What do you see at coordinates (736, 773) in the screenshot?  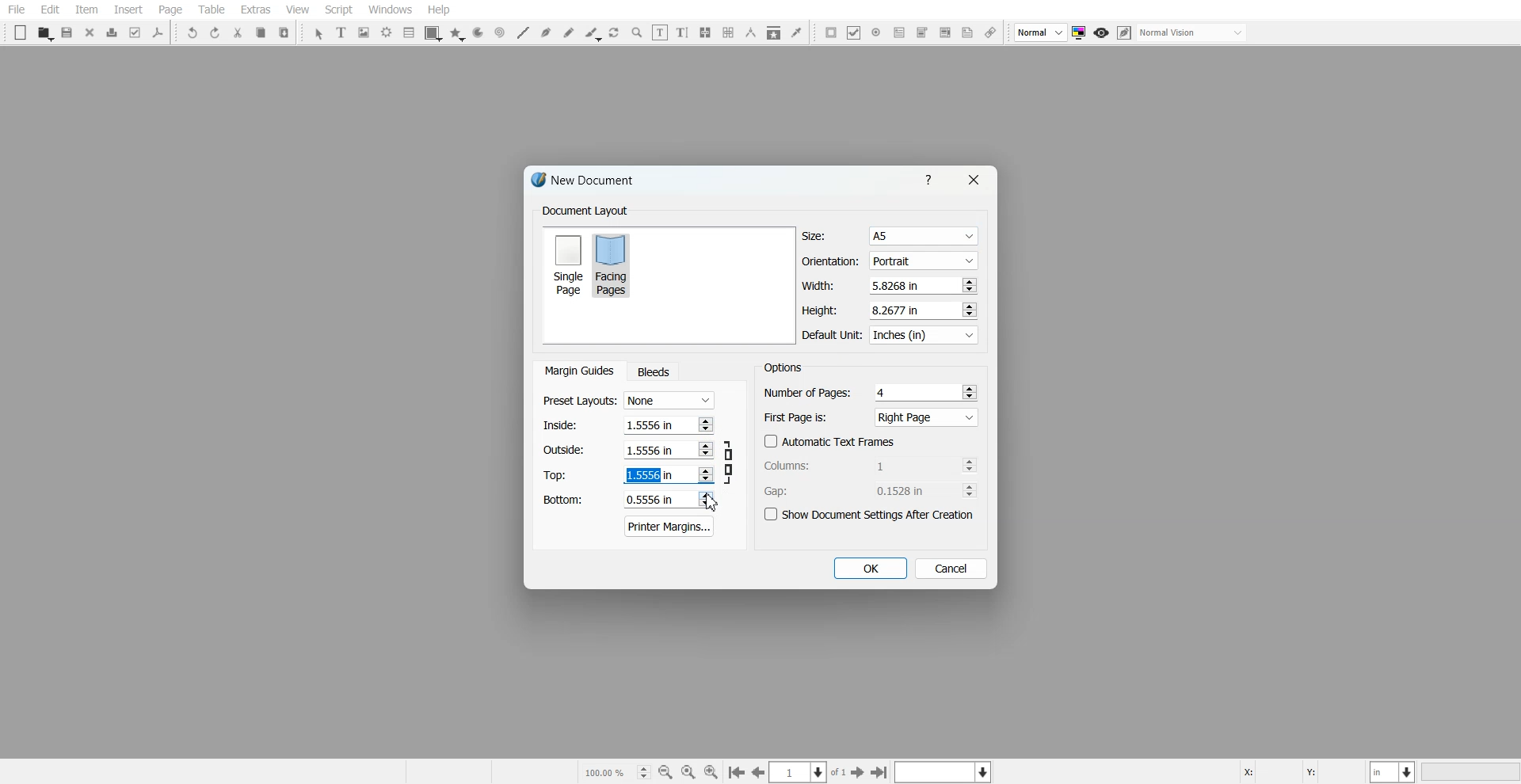 I see `Go to the first page` at bounding box center [736, 773].